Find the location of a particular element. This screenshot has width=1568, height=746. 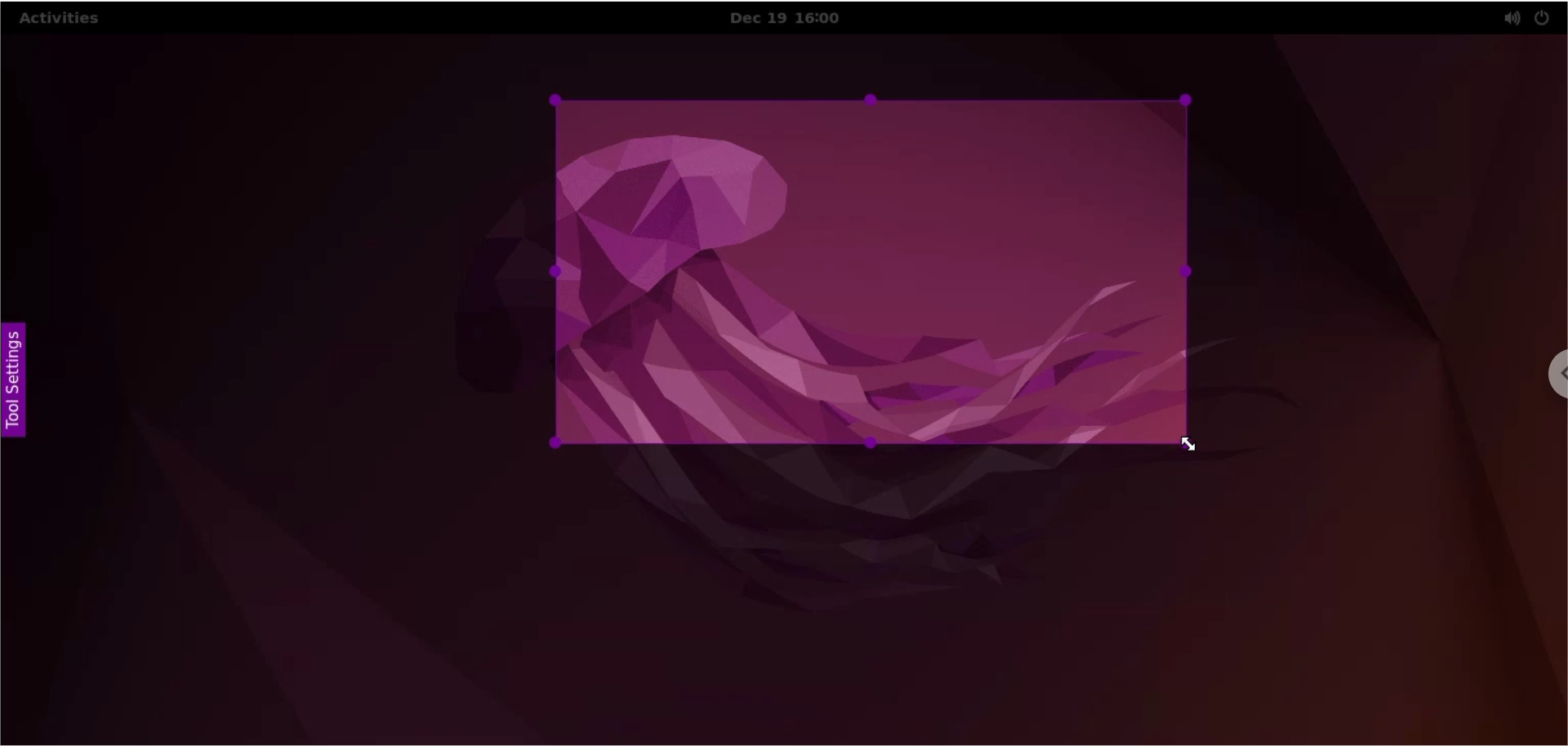

selected capture area is located at coordinates (874, 271).